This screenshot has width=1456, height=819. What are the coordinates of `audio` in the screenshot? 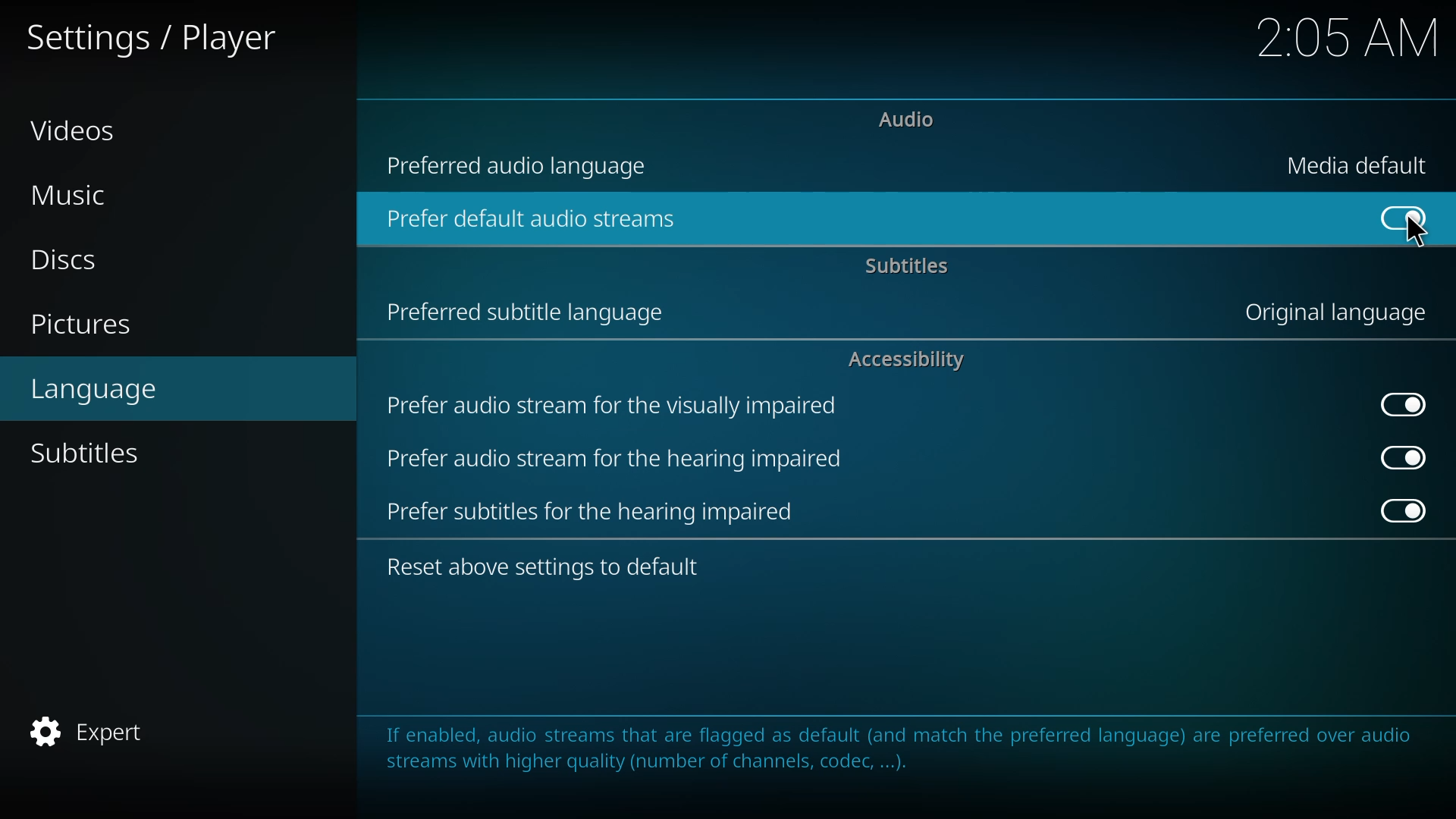 It's located at (908, 118).